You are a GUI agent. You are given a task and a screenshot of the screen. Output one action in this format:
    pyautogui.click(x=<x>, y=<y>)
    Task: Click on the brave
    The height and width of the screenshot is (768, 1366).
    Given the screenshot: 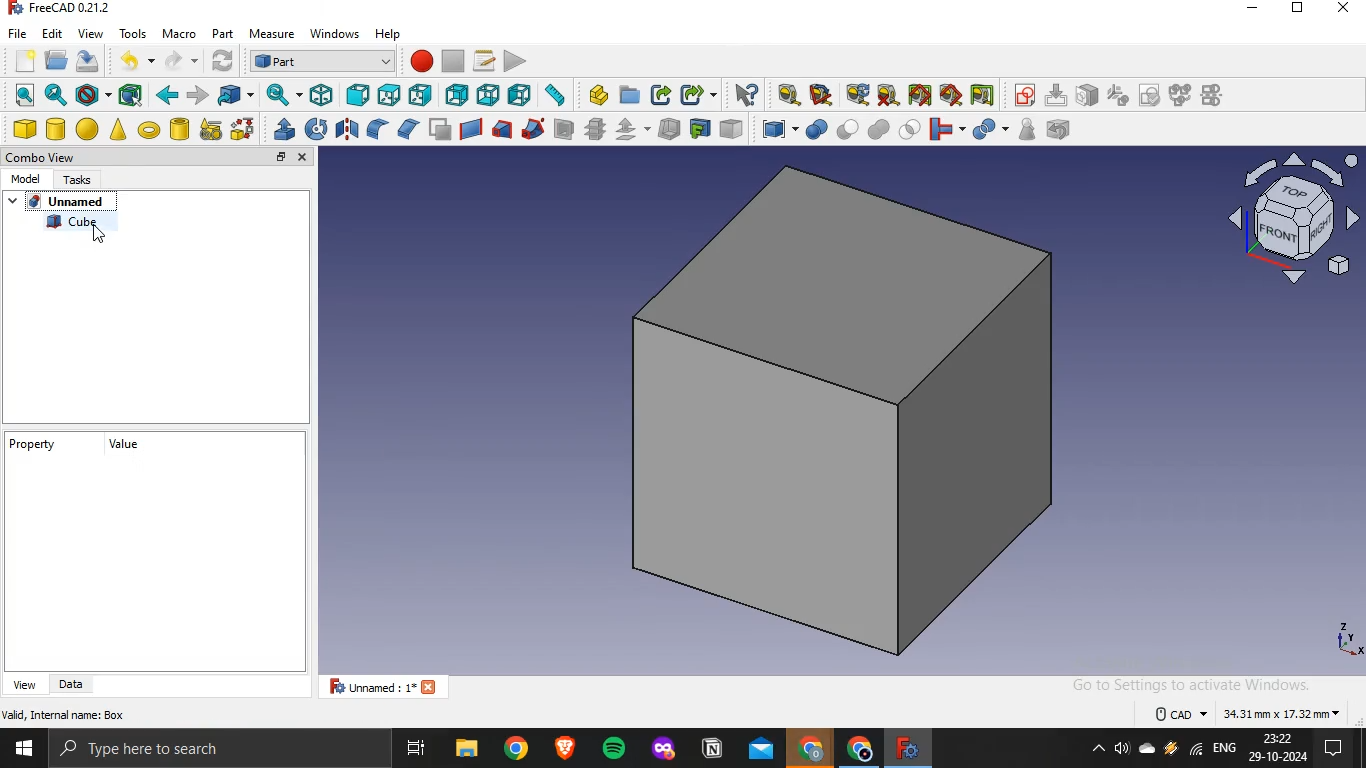 What is the action you would take?
    pyautogui.click(x=565, y=747)
    